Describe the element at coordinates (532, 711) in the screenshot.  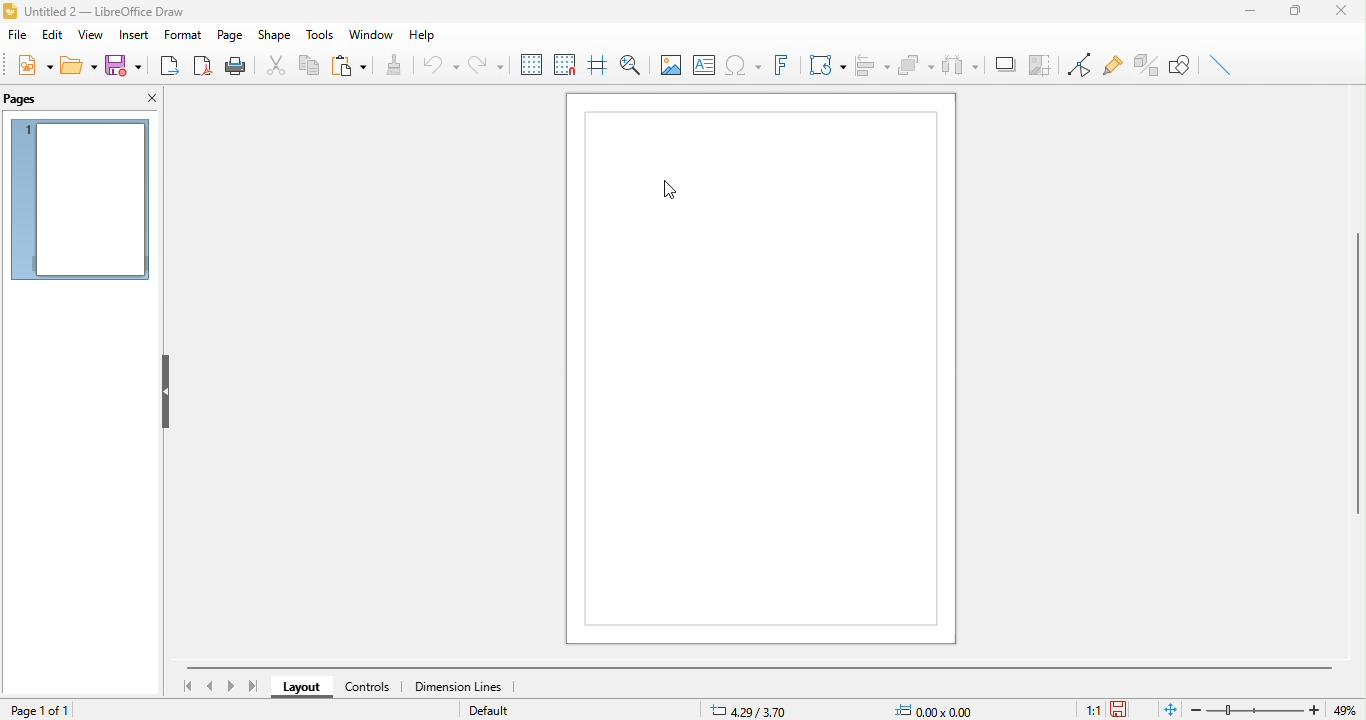
I see `default` at that location.